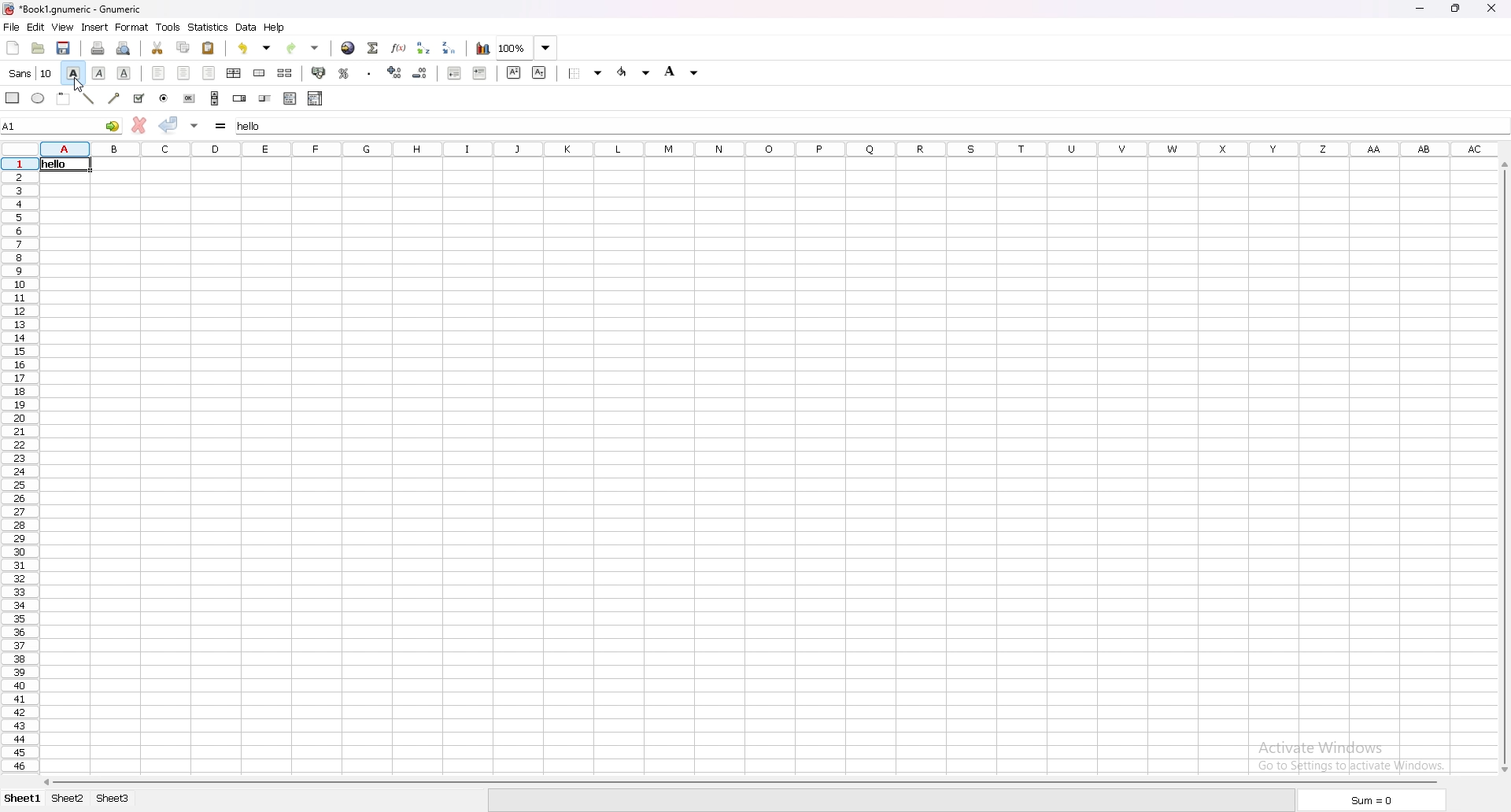  Describe the element at coordinates (66, 164) in the screenshot. I see `hello` at that location.